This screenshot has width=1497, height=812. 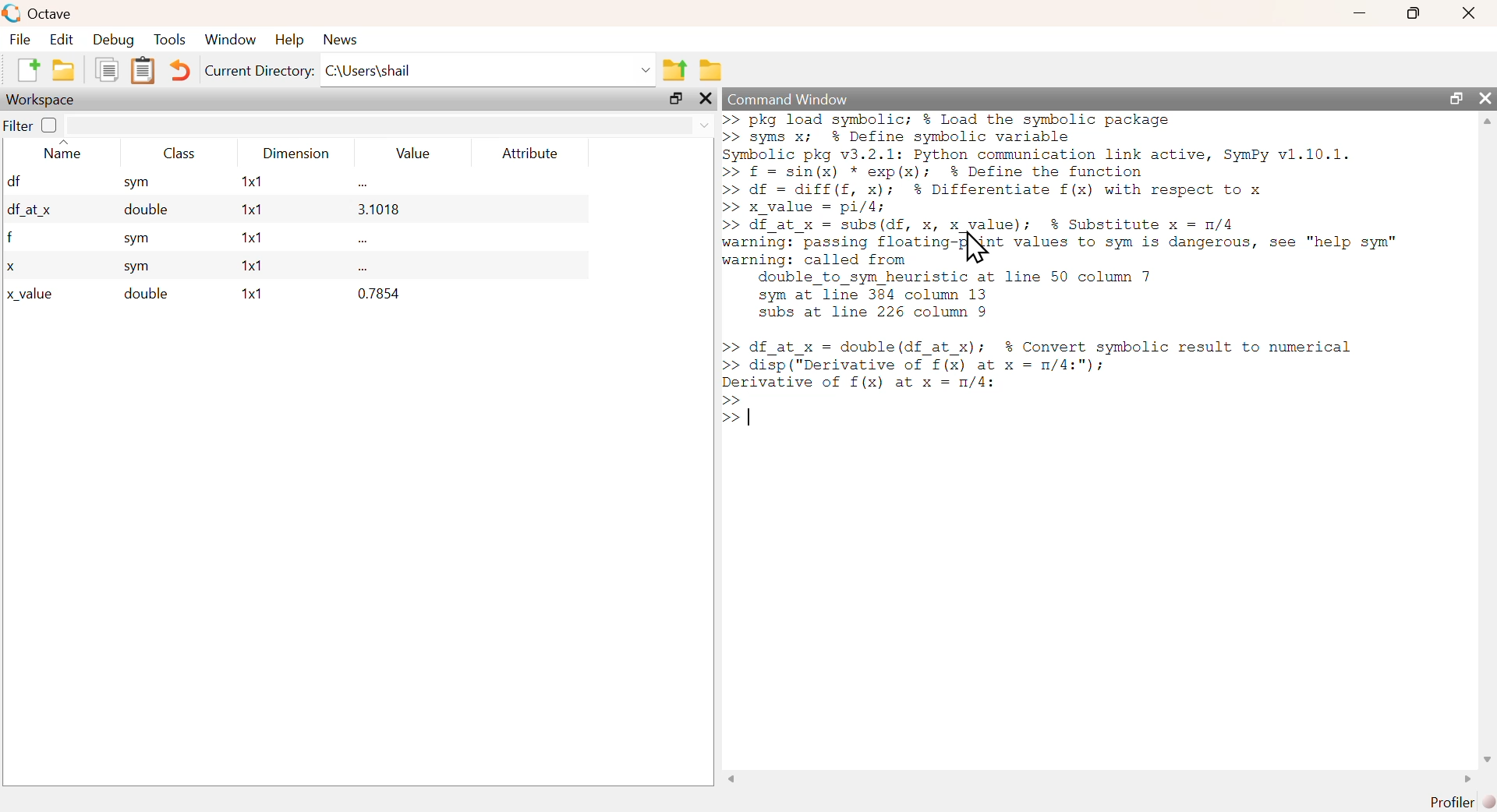 I want to click on News, so click(x=341, y=40).